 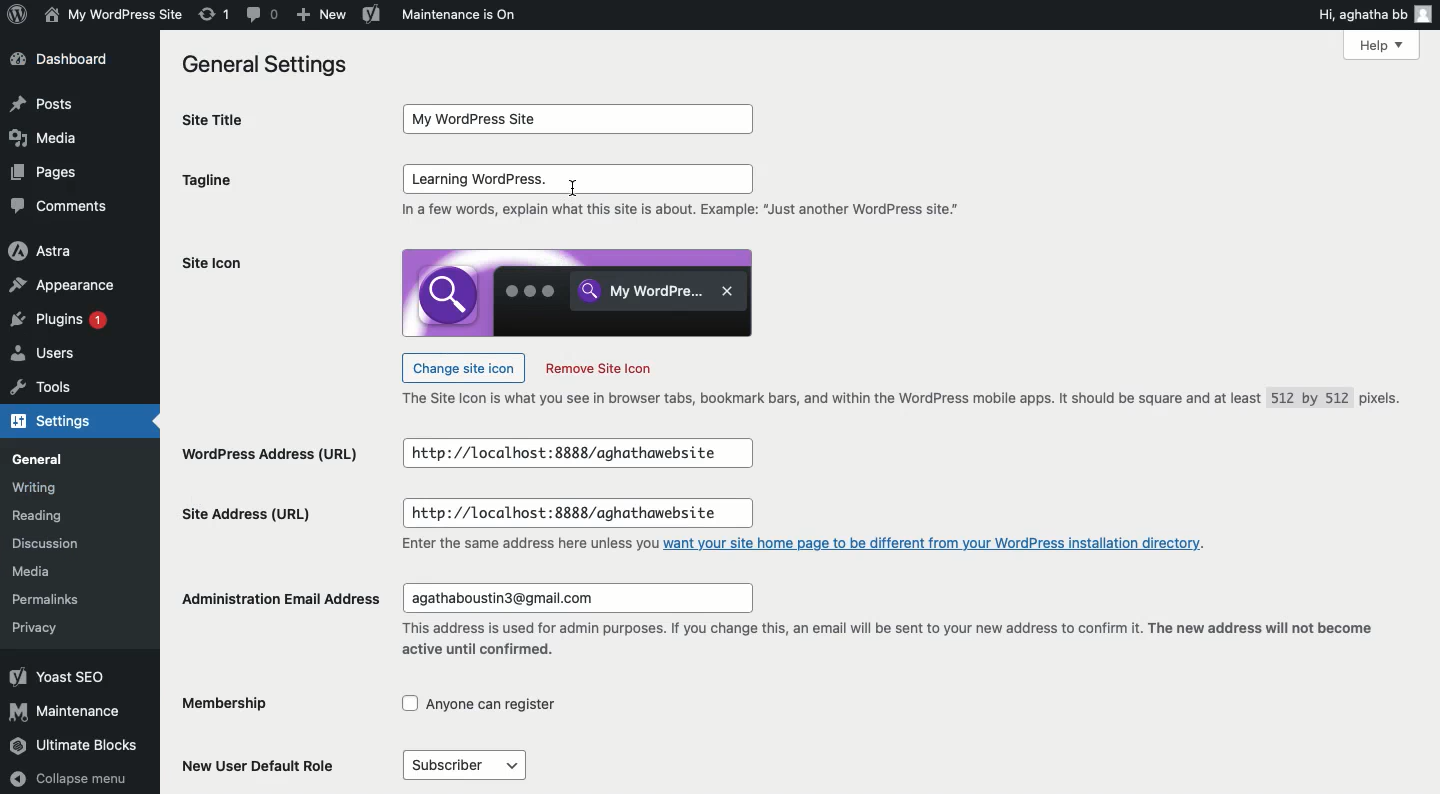 I want to click on Privacy, so click(x=34, y=627).